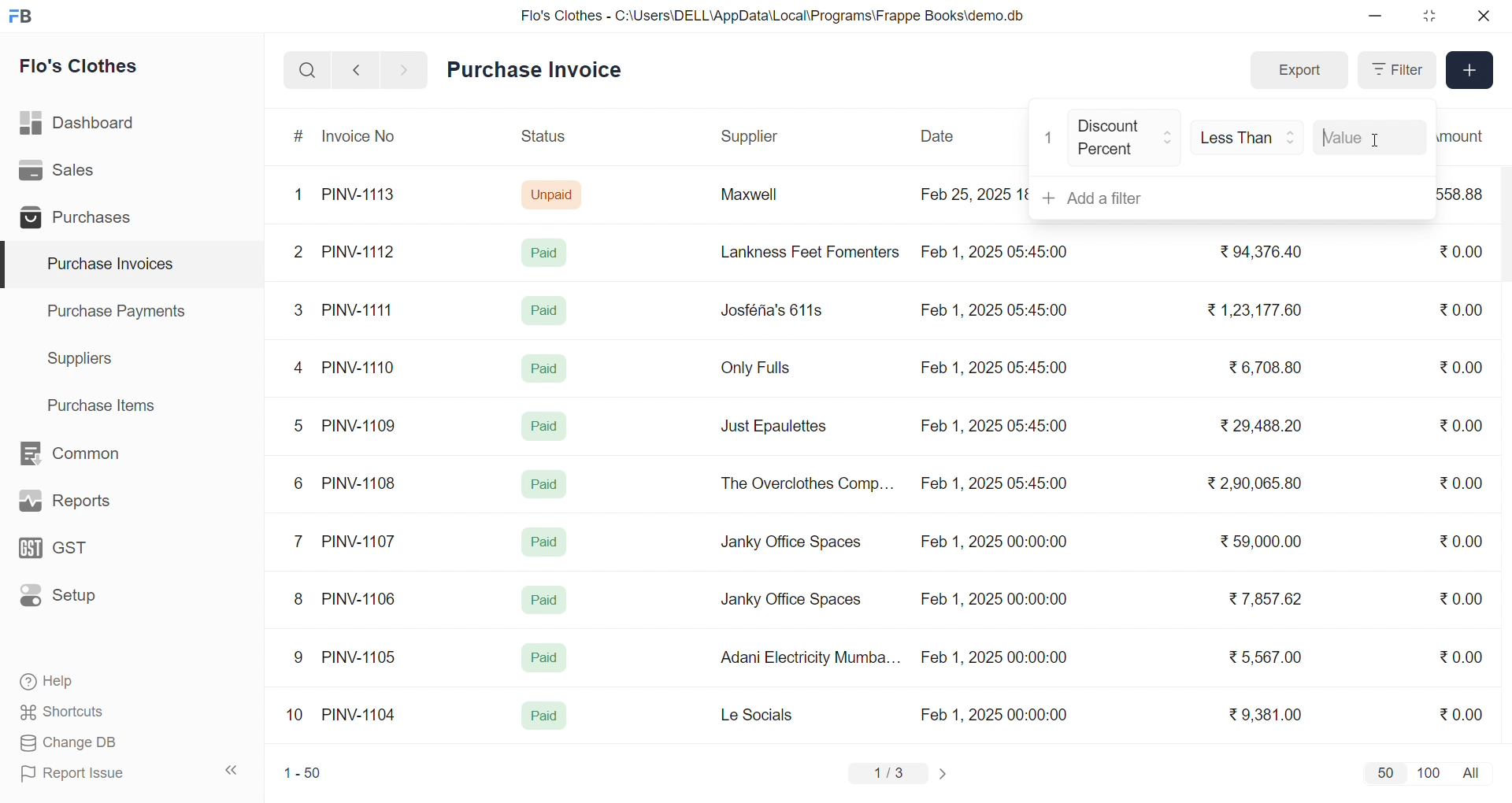 Image resolution: width=1512 pixels, height=803 pixels. What do you see at coordinates (359, 309) in the screenshot?
I see `PINV-1111` at bounding box center [359, 309].